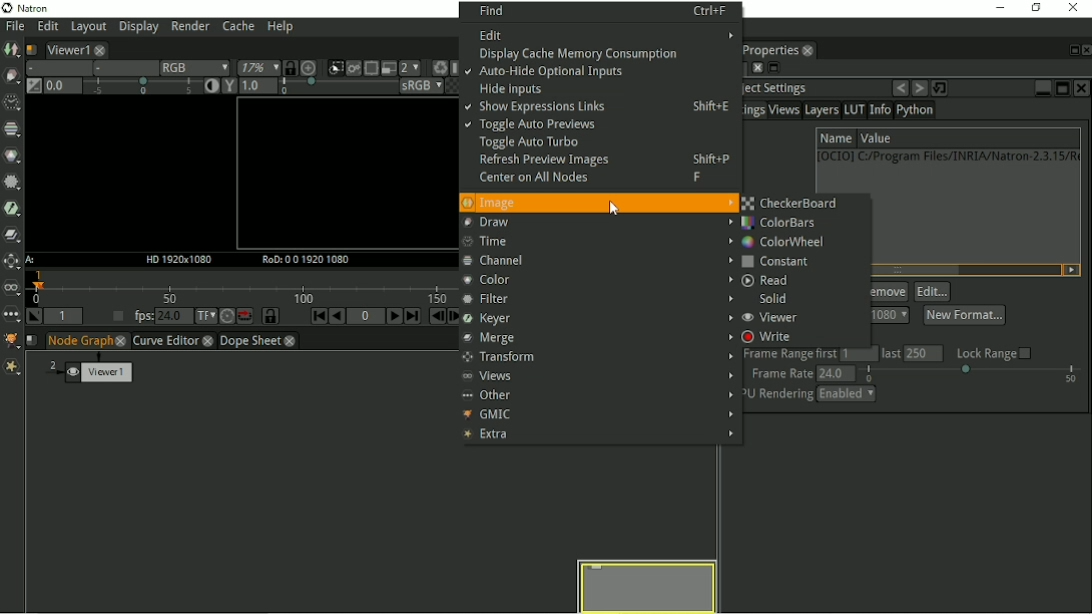  Describe the element at coordinates (264, 316) in the screenshot. I see `Synchronize` at that location.